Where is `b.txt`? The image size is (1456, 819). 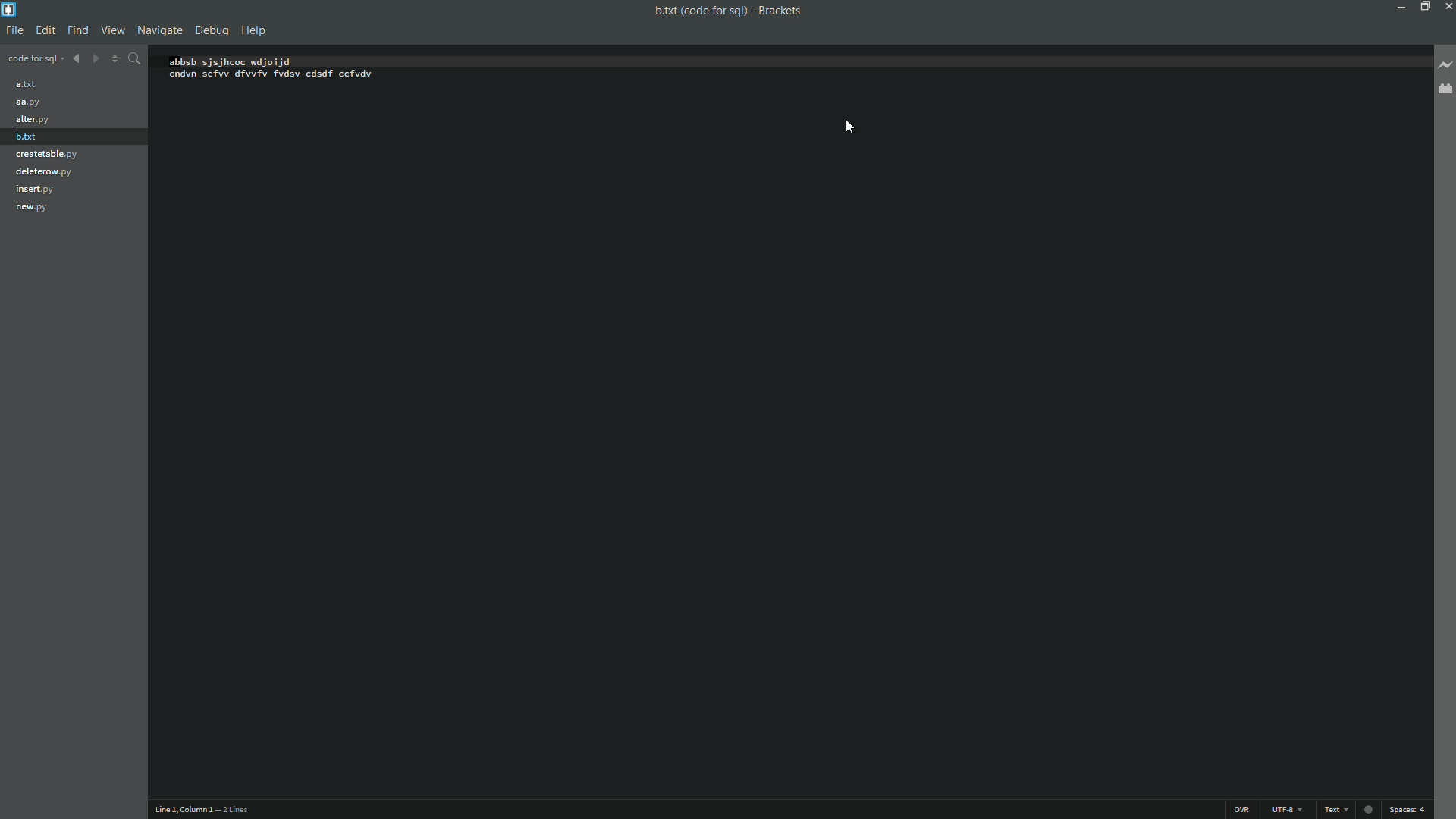 b.txt is located at coordinates (30, 139).